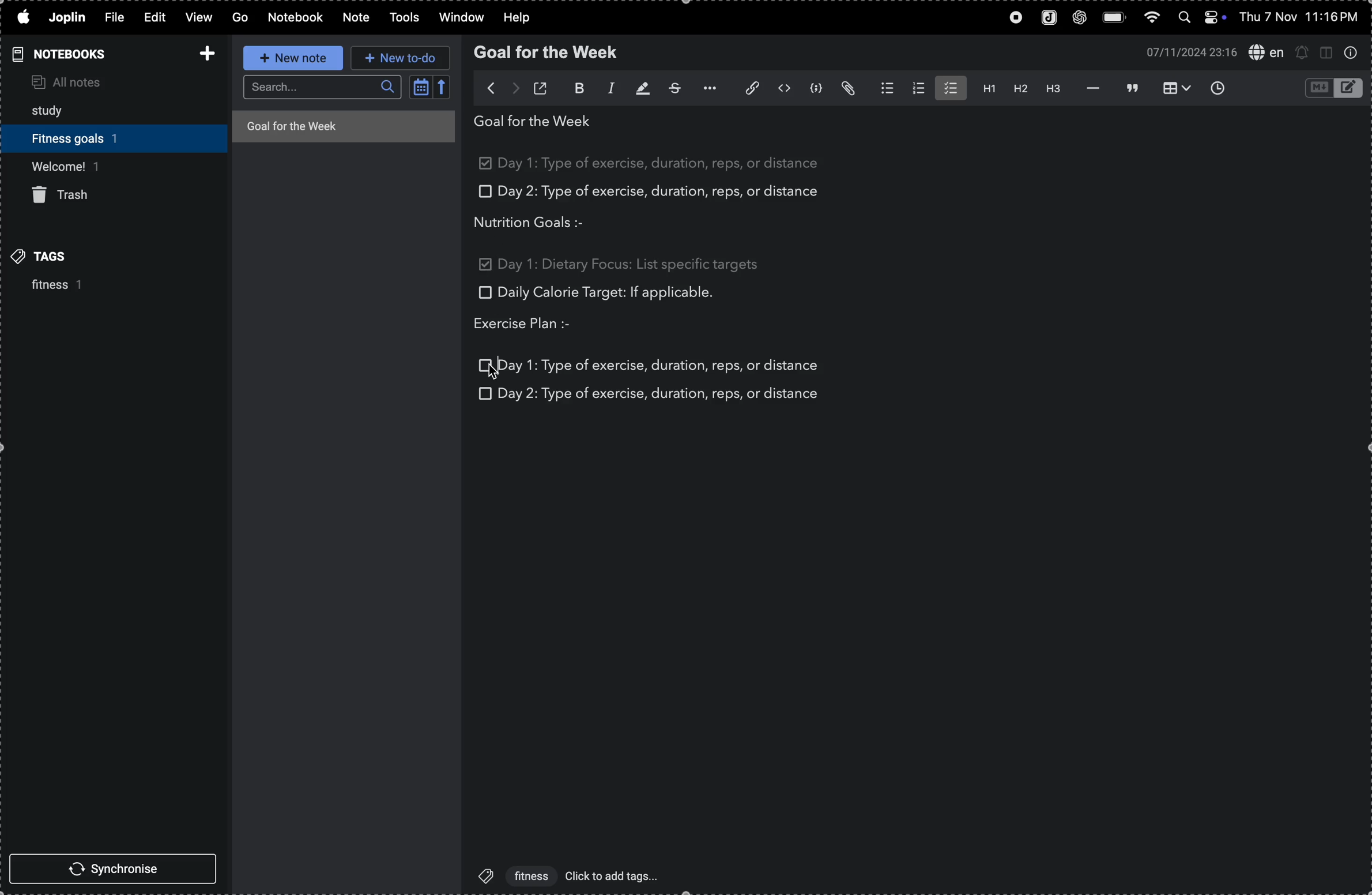 The image size is (1372, 895). What do you see at coordinates (538, 124) in the screenshot?
I see `goal for the week ` at bounding box center [538, 124].